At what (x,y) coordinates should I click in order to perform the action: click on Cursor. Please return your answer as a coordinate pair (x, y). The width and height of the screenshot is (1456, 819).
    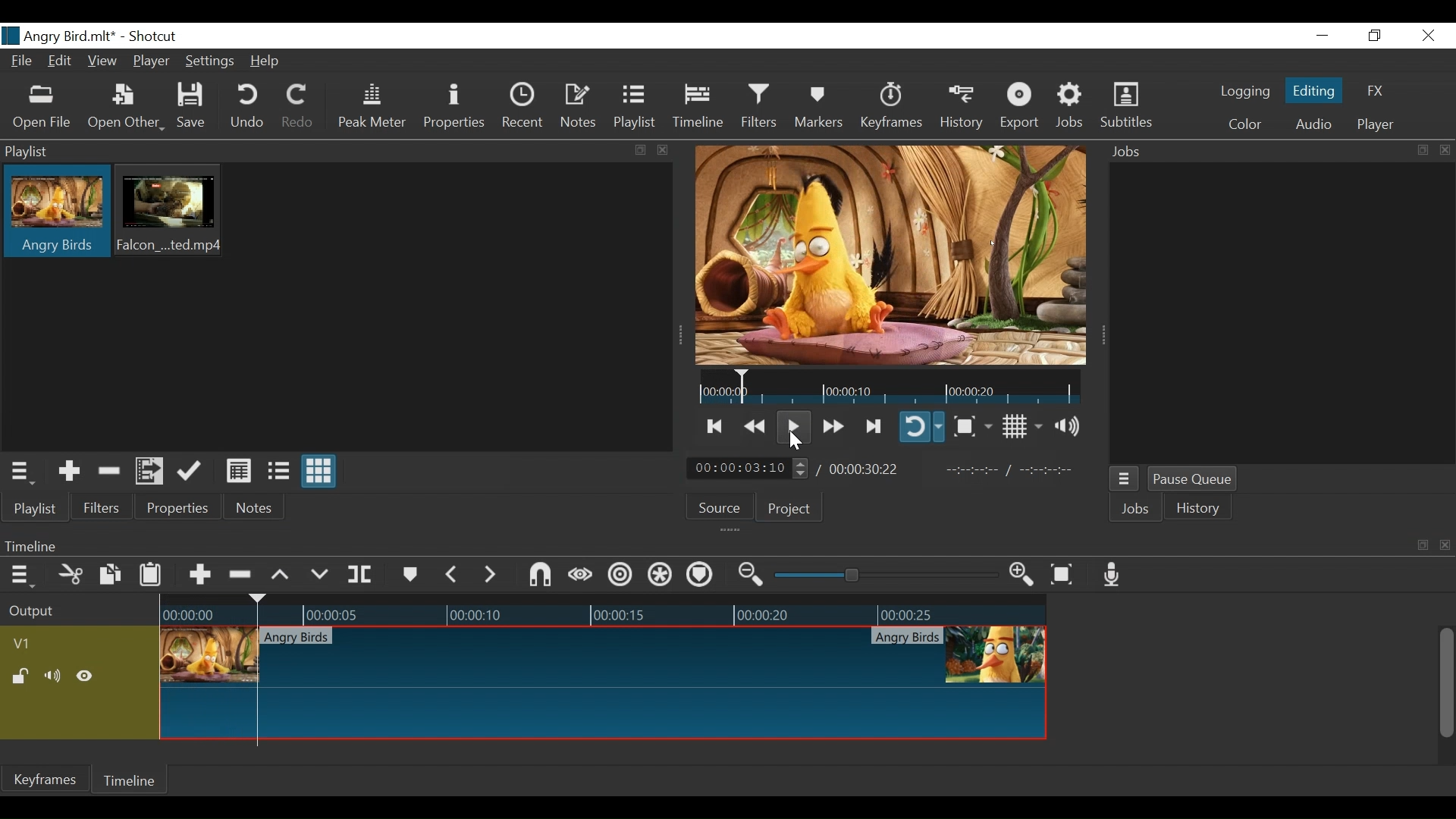
    Looking at the image, I should click on (795, 444).